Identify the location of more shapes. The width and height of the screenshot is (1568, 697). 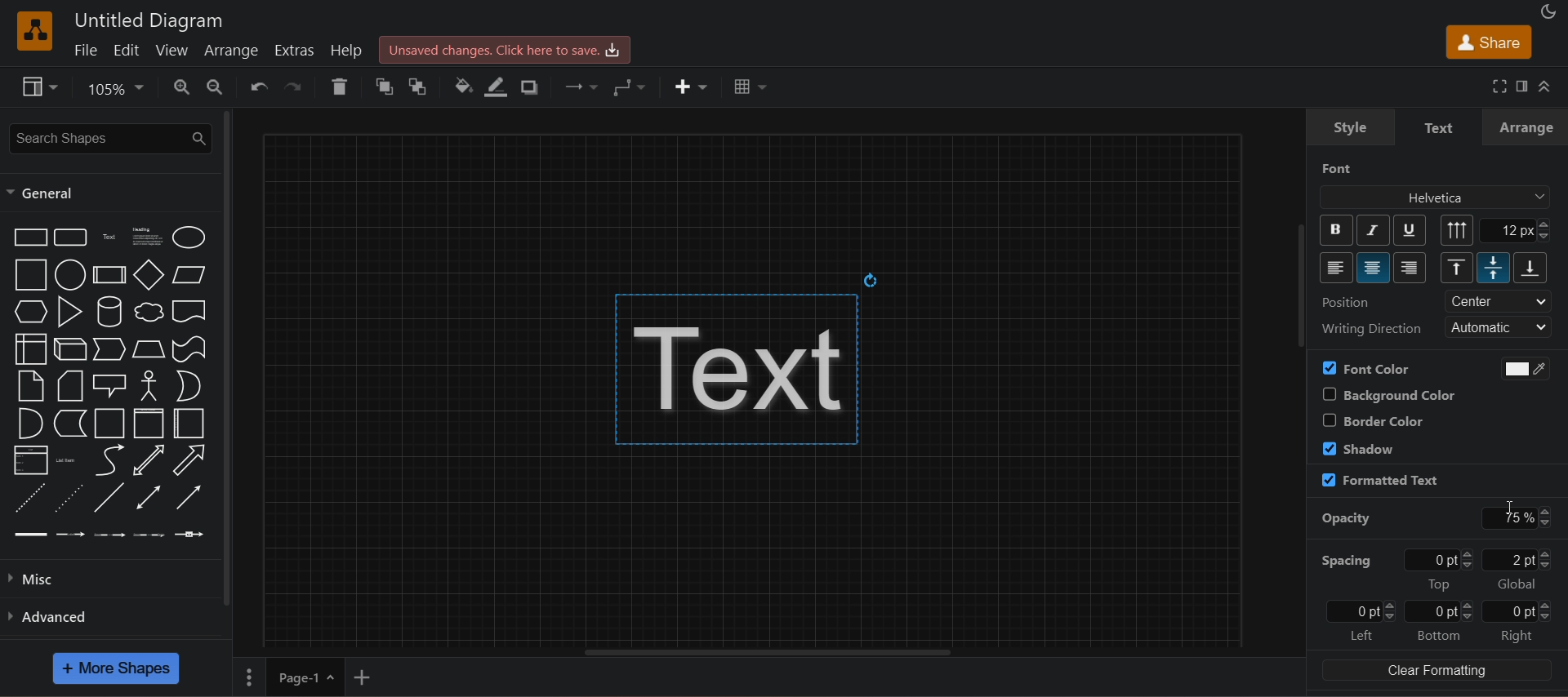
(116, 668).